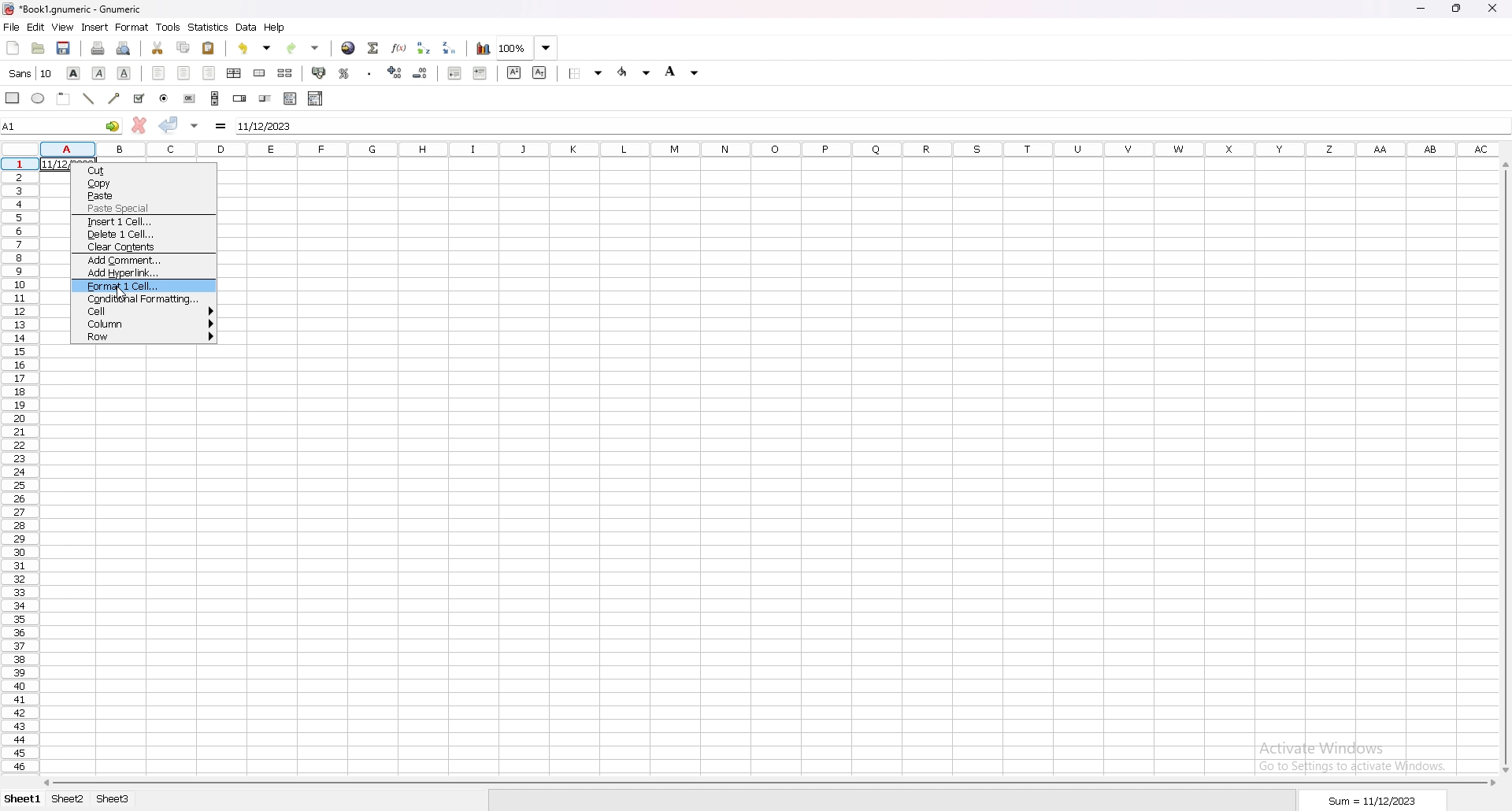 The image size is (1512, 811). Describe the element at coordinates (11, 28) in the screenshot. I see `file` at that location.